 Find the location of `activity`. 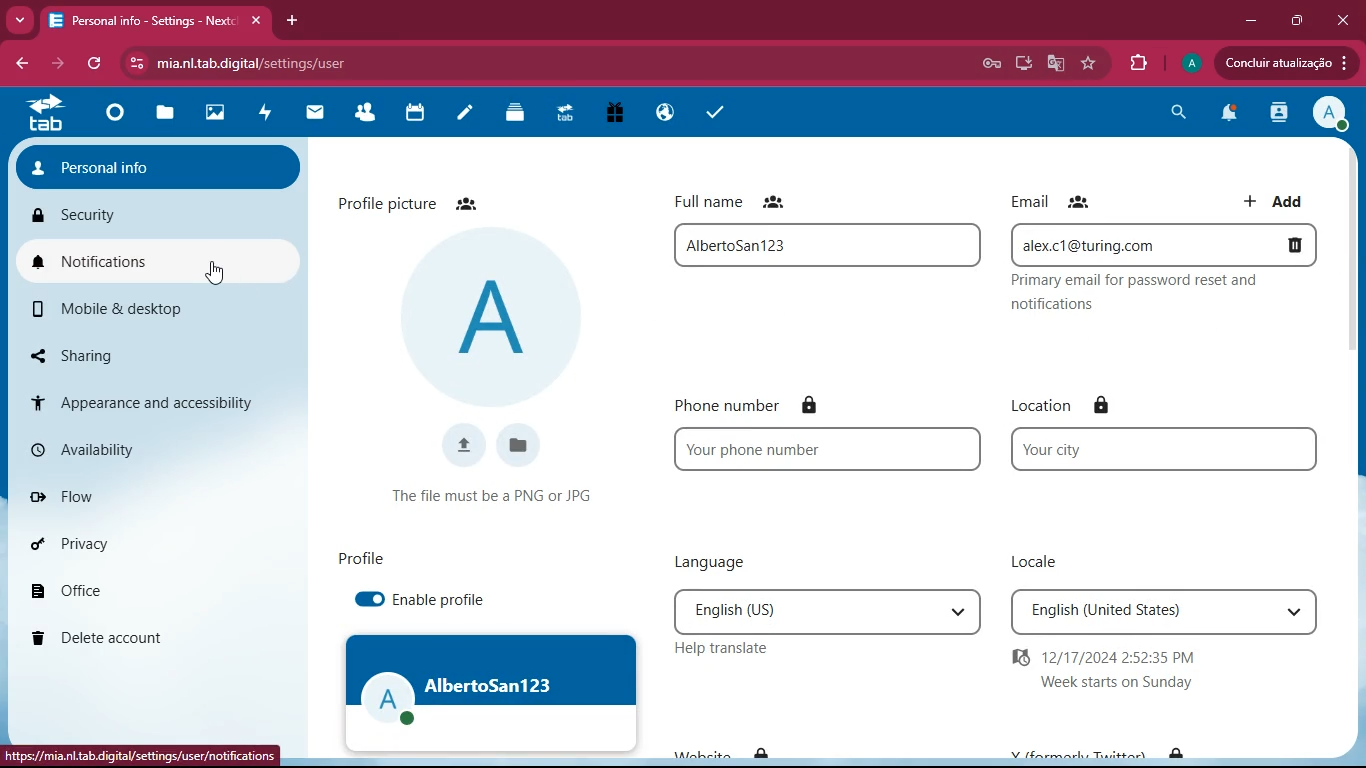

activity is located at coordinates (1278, 115).